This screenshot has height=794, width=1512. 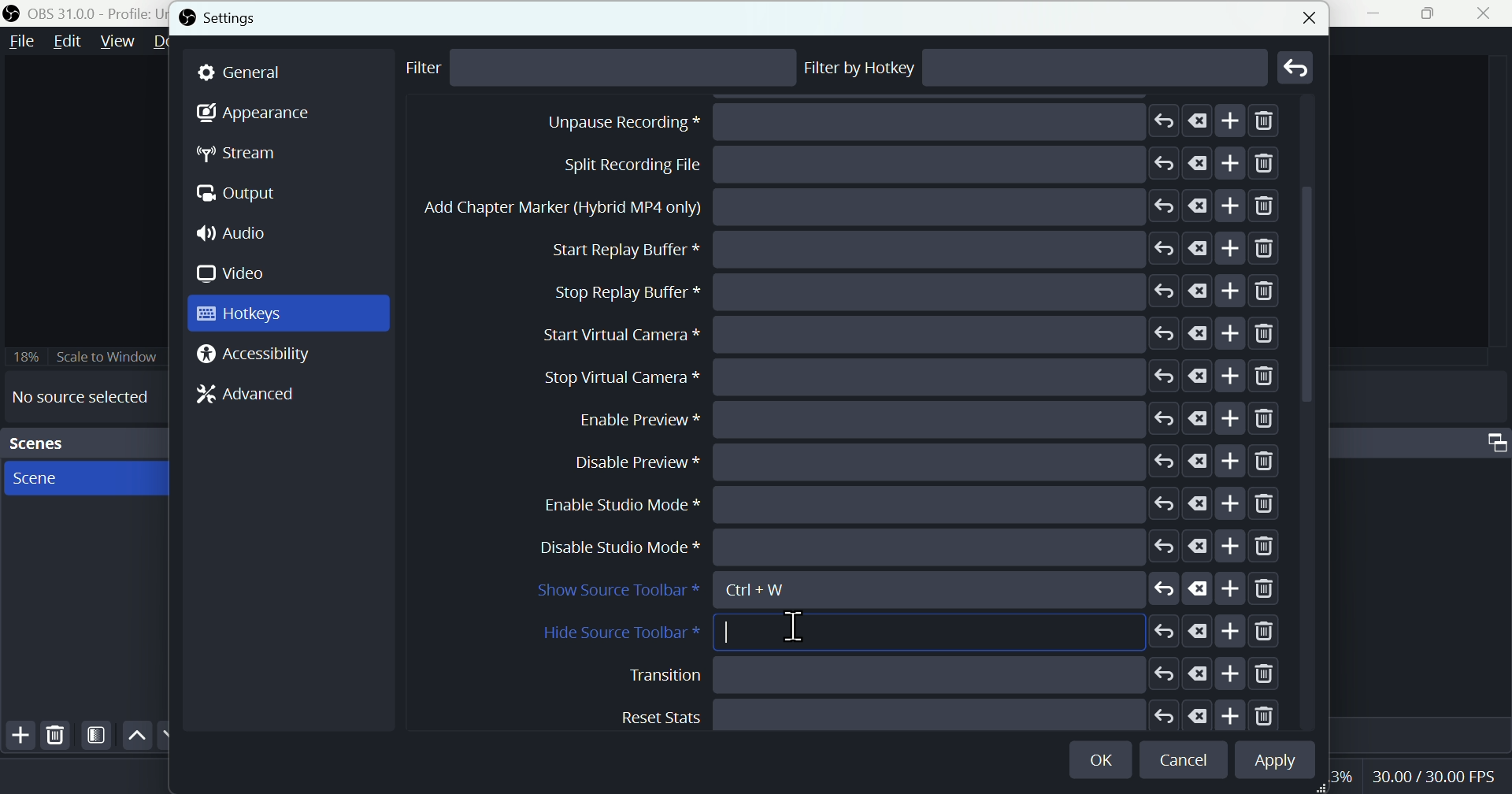 What do you see at coordinates (225, 18) in the screenshot?
I see `Settings` at bounding box center [225, 18].